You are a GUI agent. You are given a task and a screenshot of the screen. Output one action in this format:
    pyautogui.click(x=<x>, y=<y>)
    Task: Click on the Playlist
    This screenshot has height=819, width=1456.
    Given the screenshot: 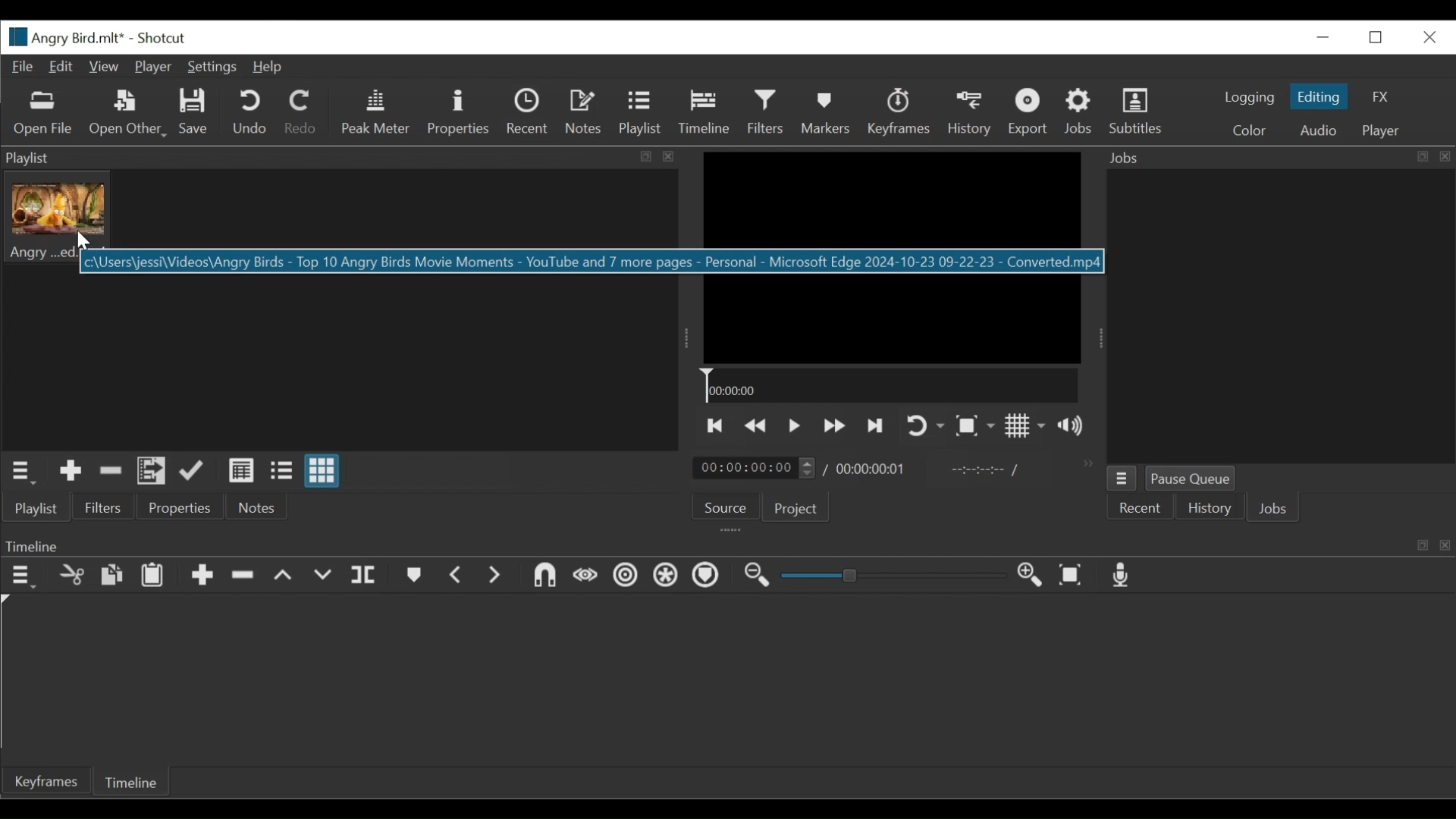 What is the action you would take?
    pyautogui.click(x=639, y=111)
    